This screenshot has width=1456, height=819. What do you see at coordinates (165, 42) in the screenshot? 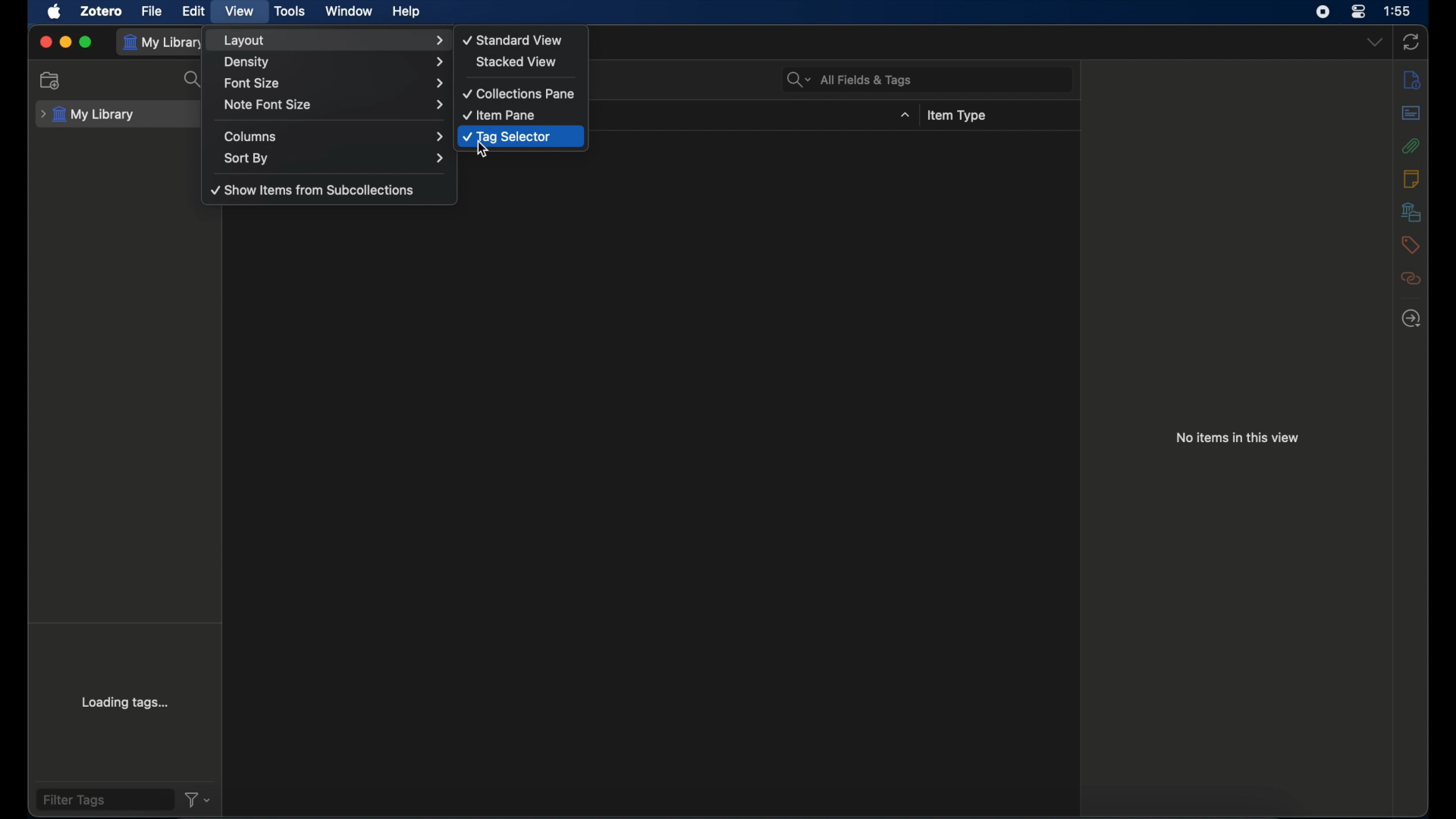
I see `my library` at bounding box center [165, 42].